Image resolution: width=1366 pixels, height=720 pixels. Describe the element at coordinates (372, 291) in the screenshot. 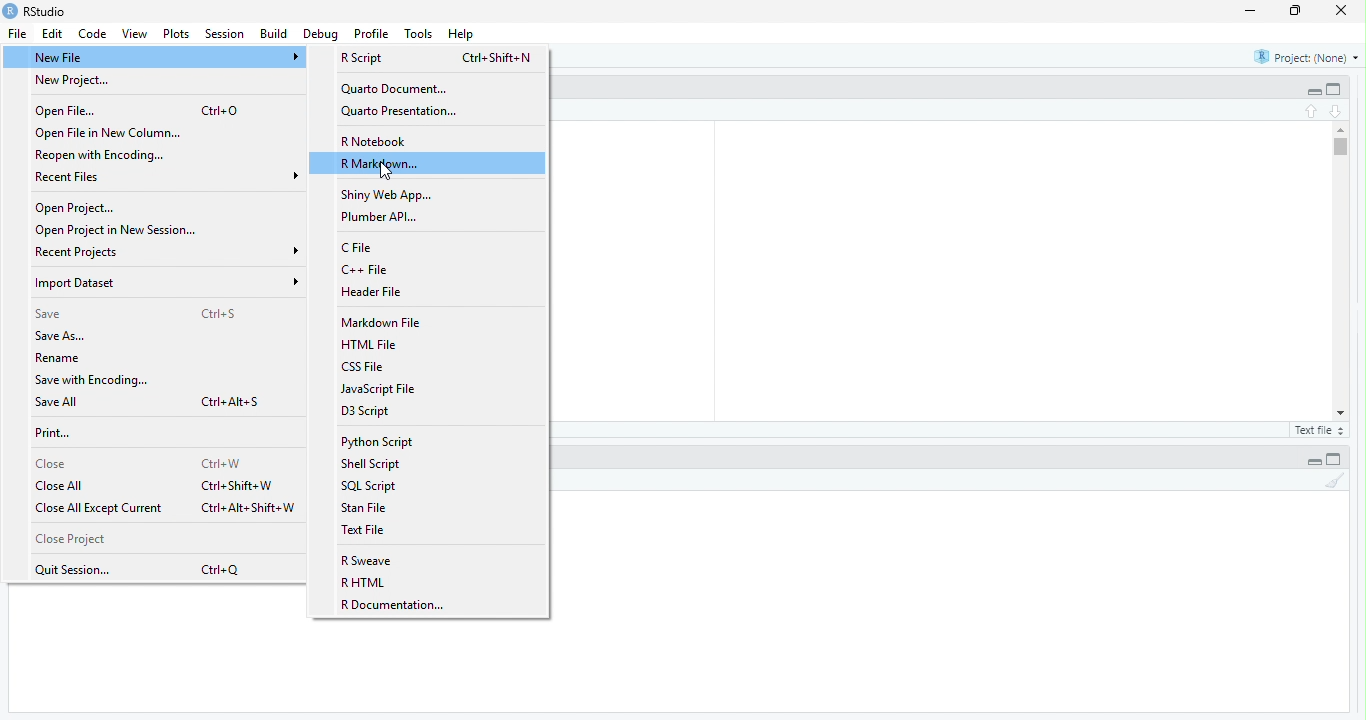

I see `Header File` at that location.